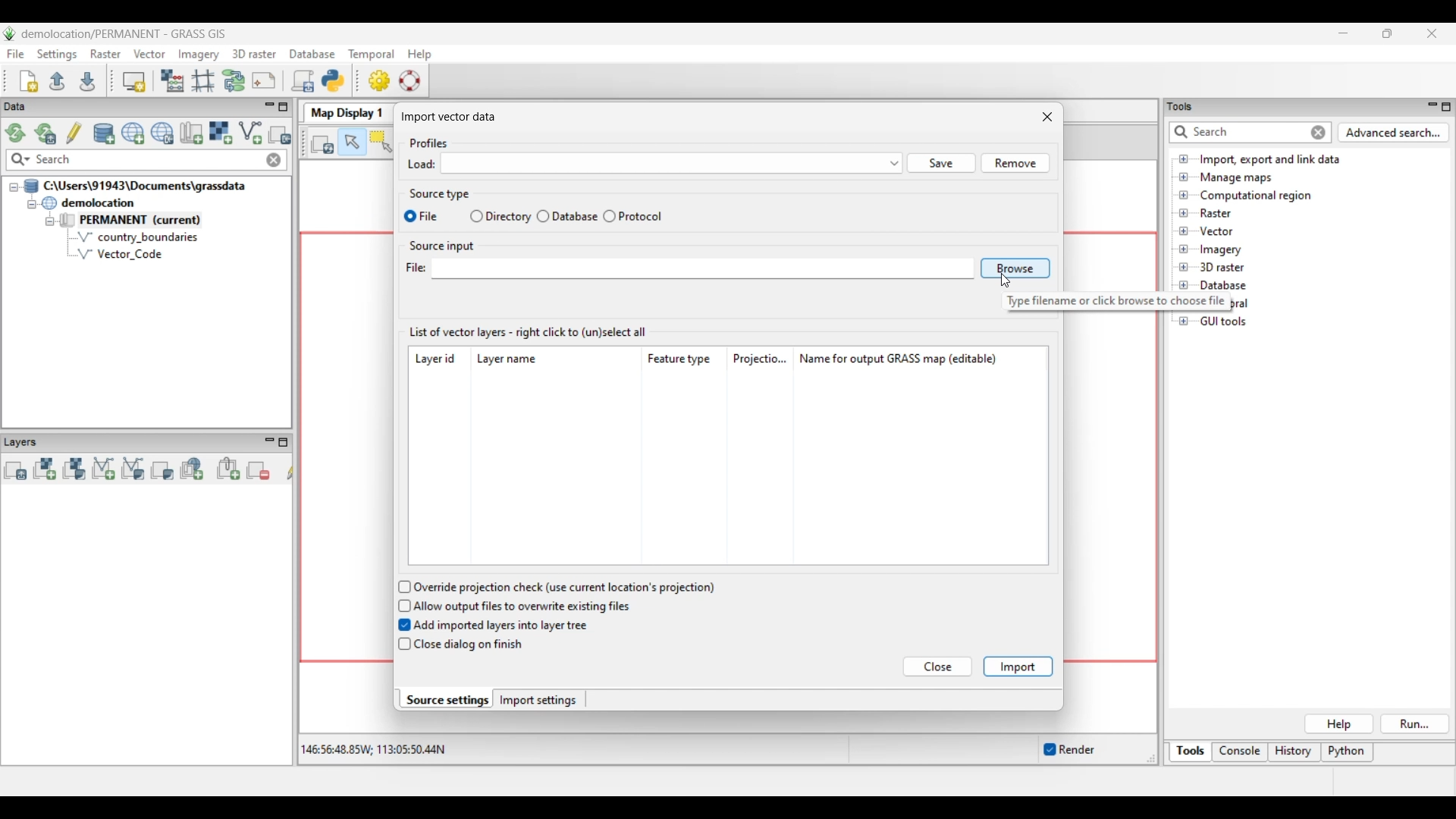 The height and width of the screenshot is (819, 1456). I want to click on Click to open files under Raster, so click(1184, 212).